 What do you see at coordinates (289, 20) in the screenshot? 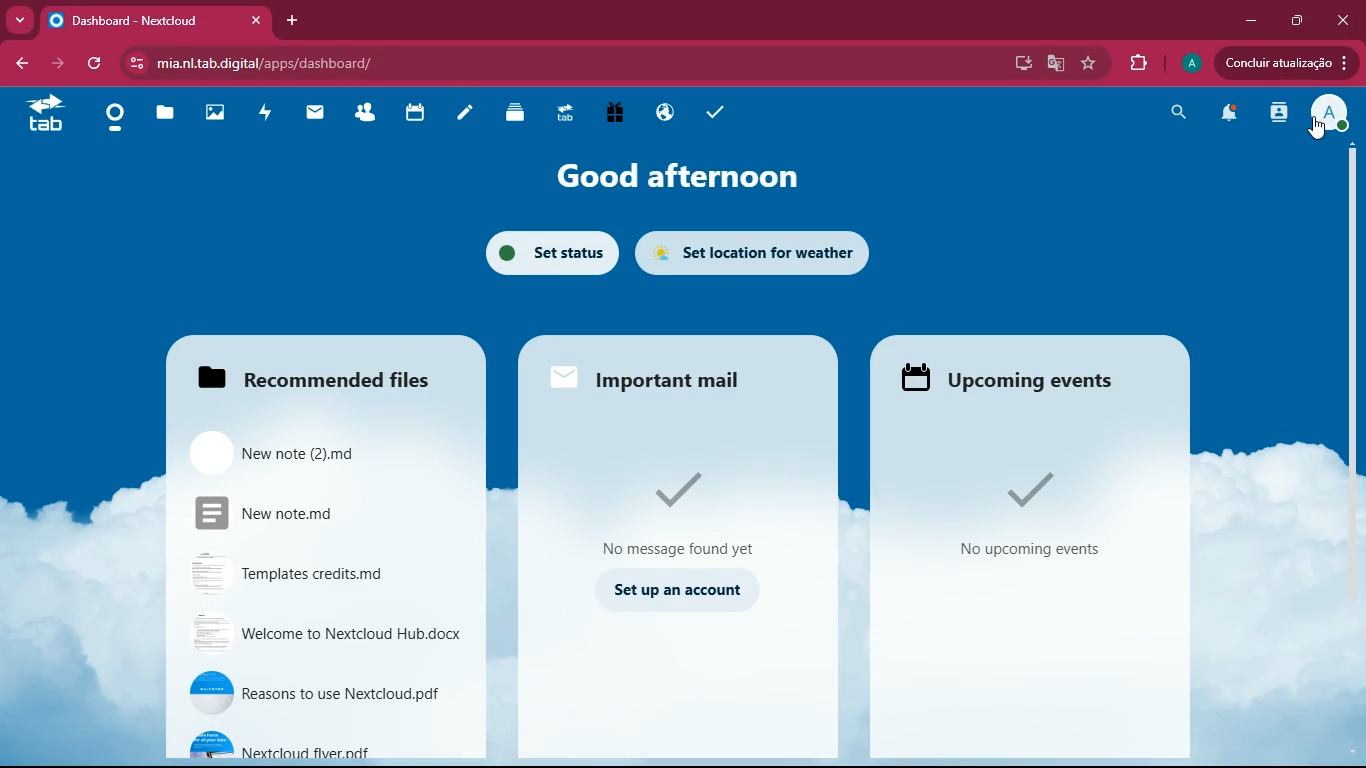
I see `add tab` at bounding box center [289, 20].